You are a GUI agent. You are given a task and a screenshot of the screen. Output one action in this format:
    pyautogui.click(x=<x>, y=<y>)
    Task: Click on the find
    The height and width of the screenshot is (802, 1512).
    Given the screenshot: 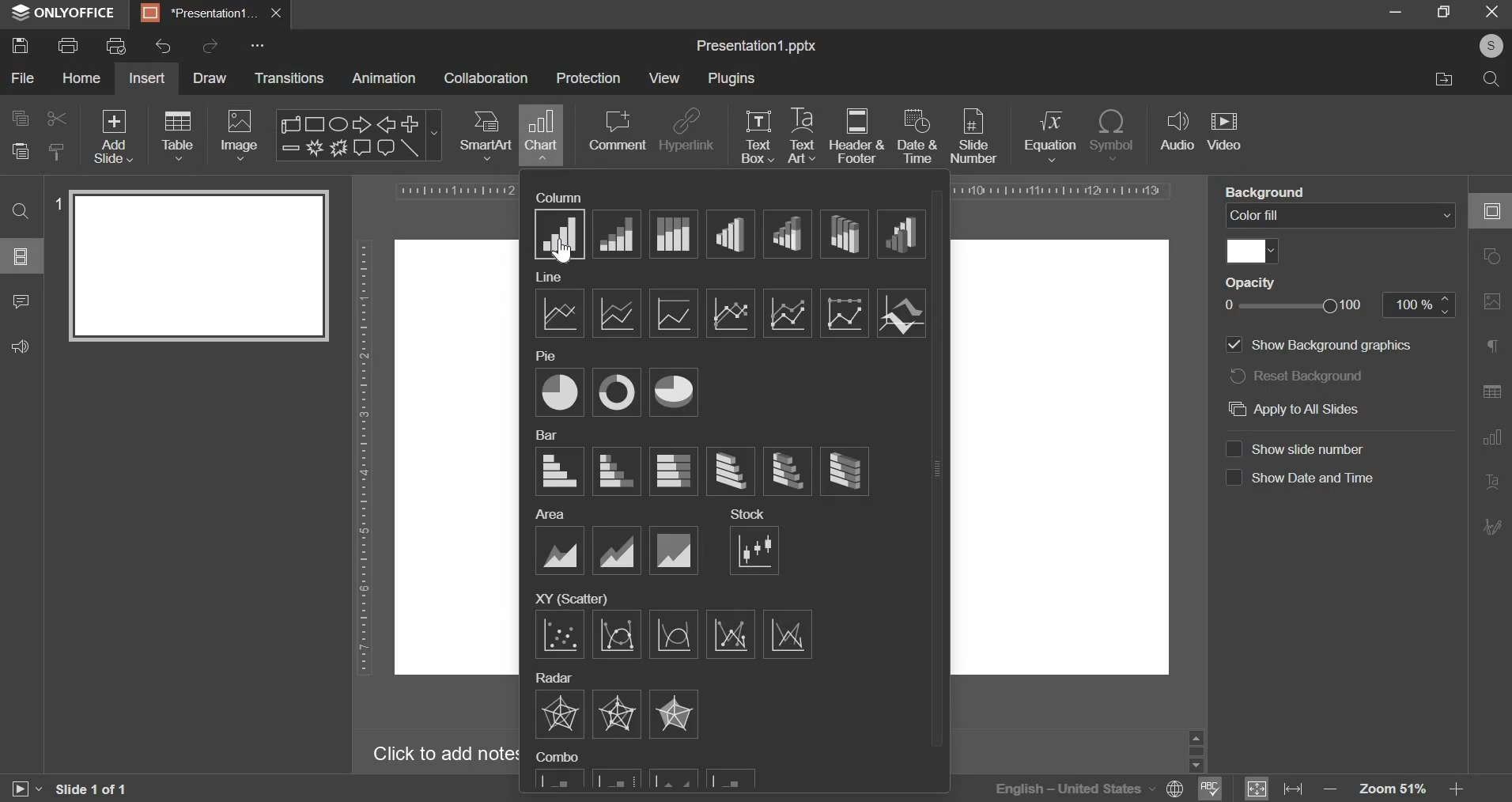 What is the action you would take?
    pyautogui.click(x=21, y=211)
    